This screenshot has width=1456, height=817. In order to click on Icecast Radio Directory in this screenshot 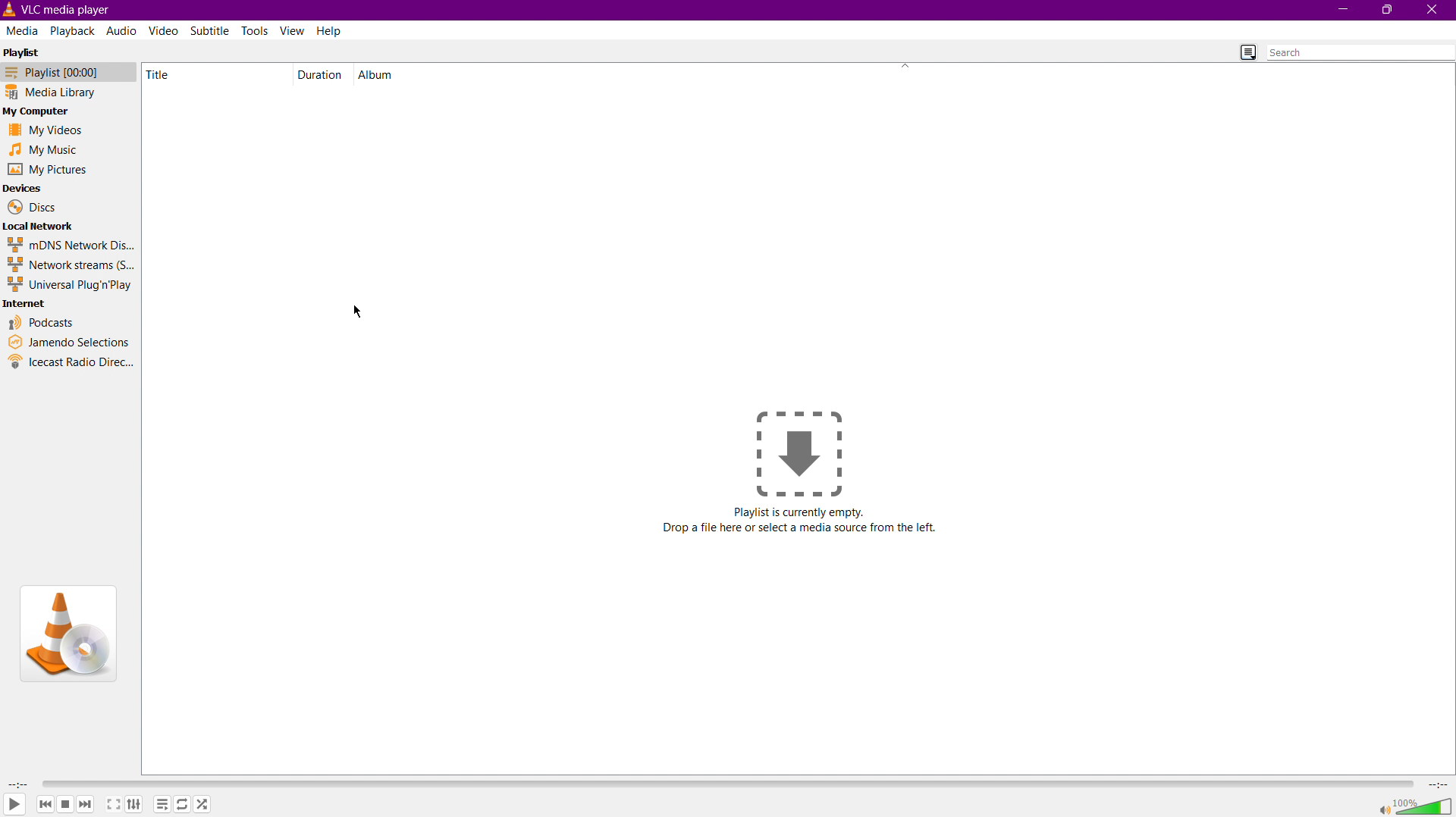, I will do `click(71, 362)`.